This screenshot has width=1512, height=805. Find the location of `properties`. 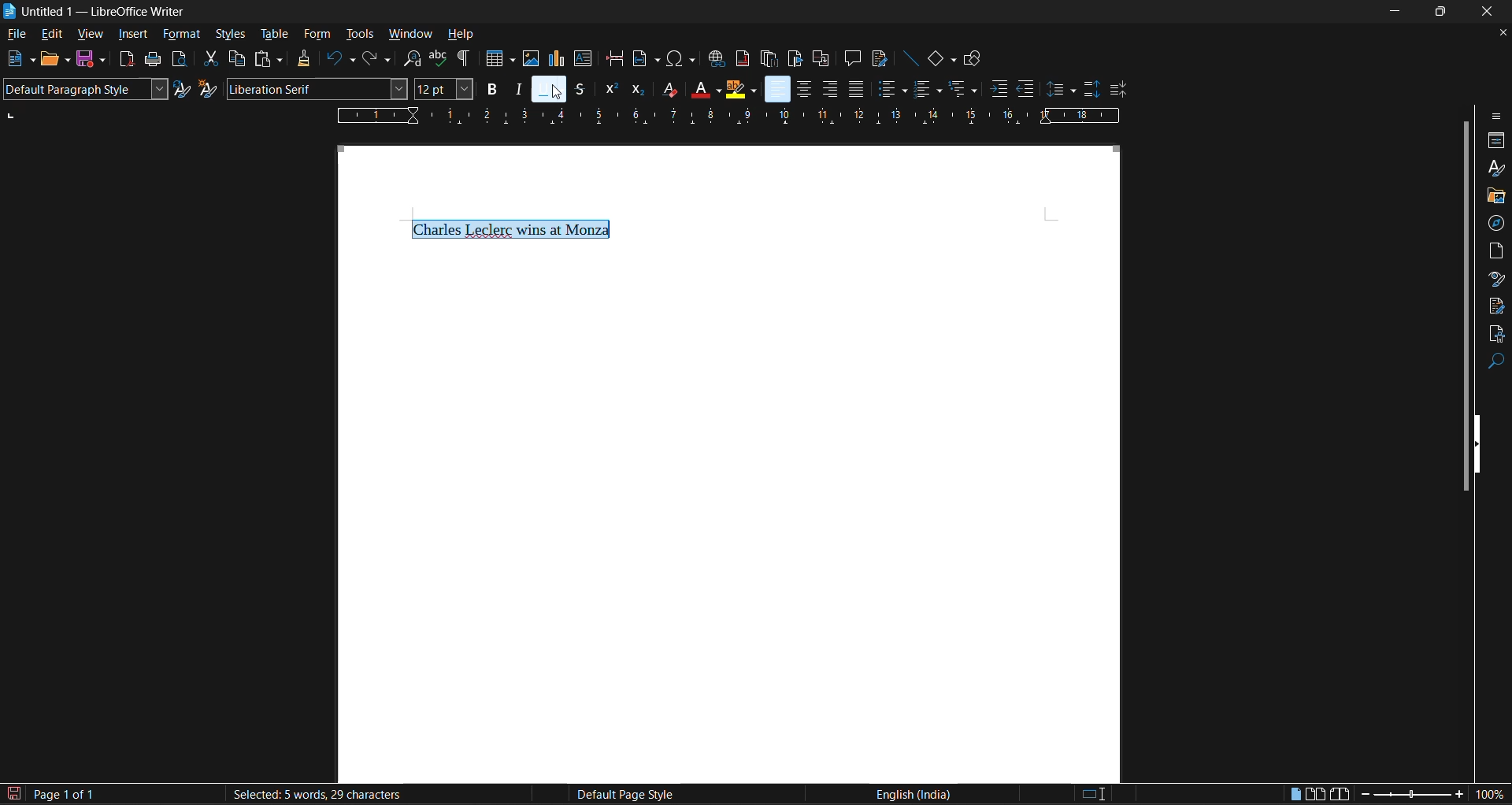

properties is located at coordinates (1496, 141).